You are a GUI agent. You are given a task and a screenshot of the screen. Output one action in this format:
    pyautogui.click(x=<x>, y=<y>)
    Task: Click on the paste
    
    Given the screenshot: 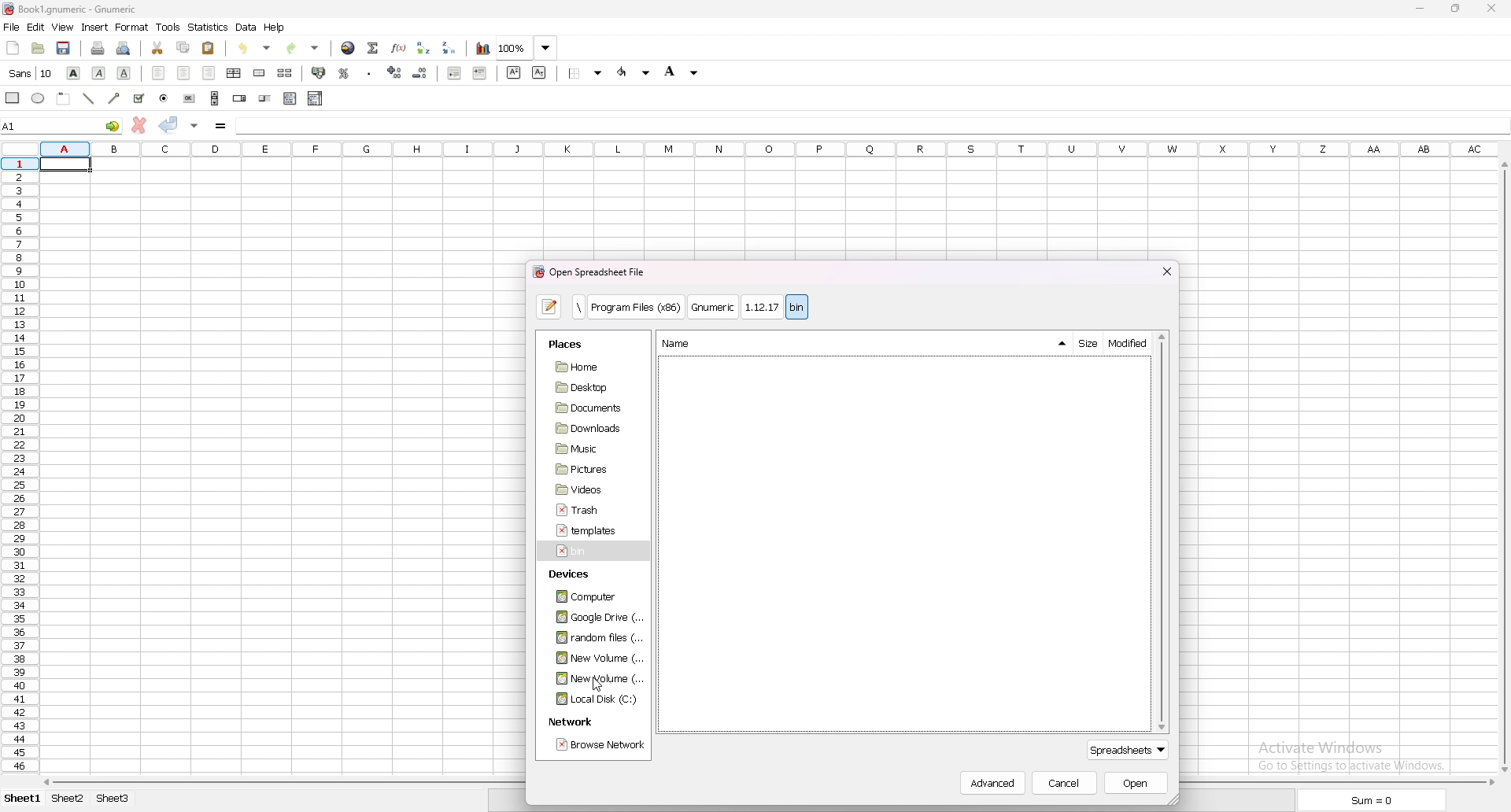 What is the action you would take?
    pyautogui.click(x=209, y=49)
    